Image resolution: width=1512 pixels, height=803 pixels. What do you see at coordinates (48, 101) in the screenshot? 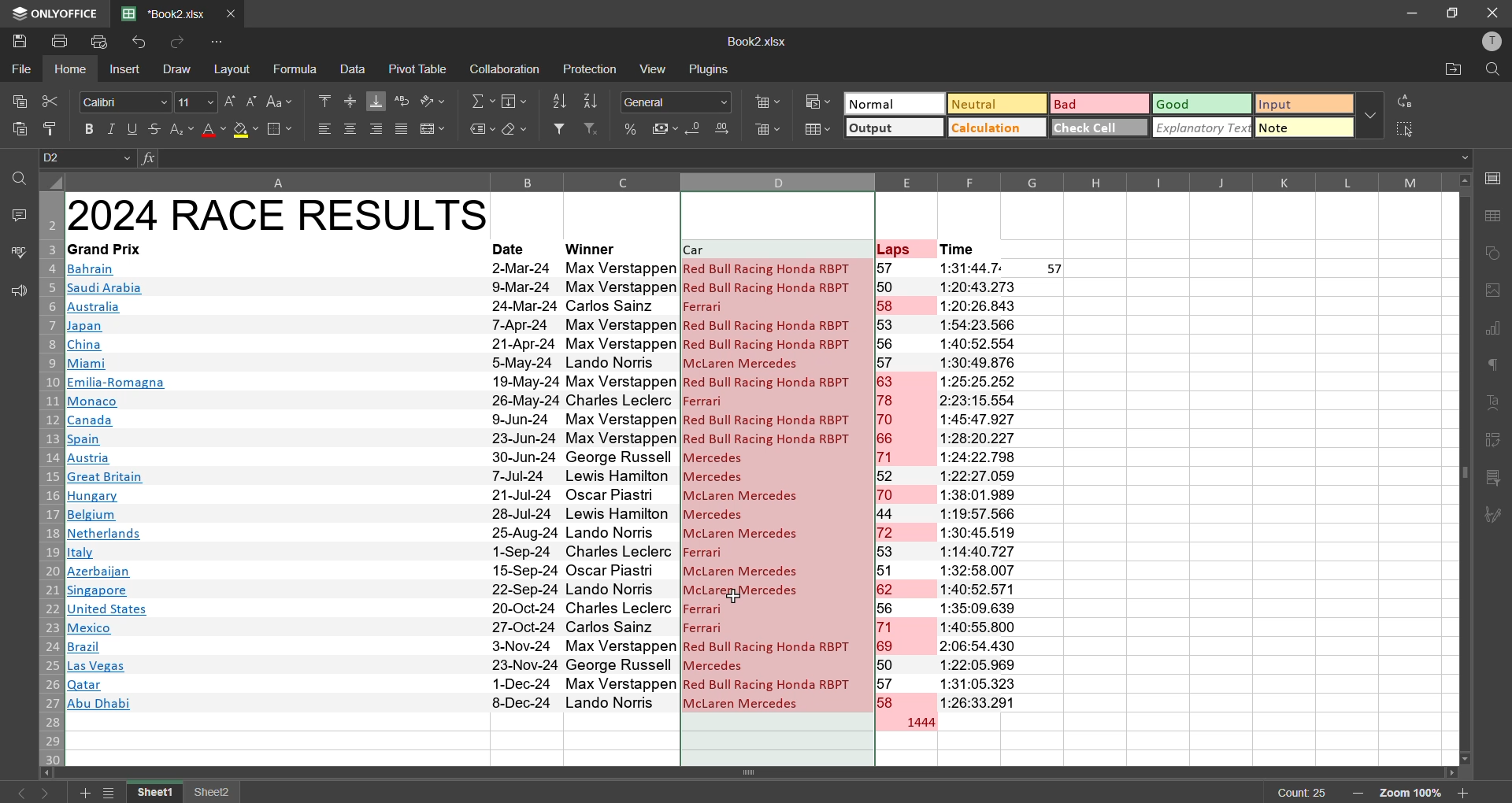
I see `cut` at bounding box center [48, 101].